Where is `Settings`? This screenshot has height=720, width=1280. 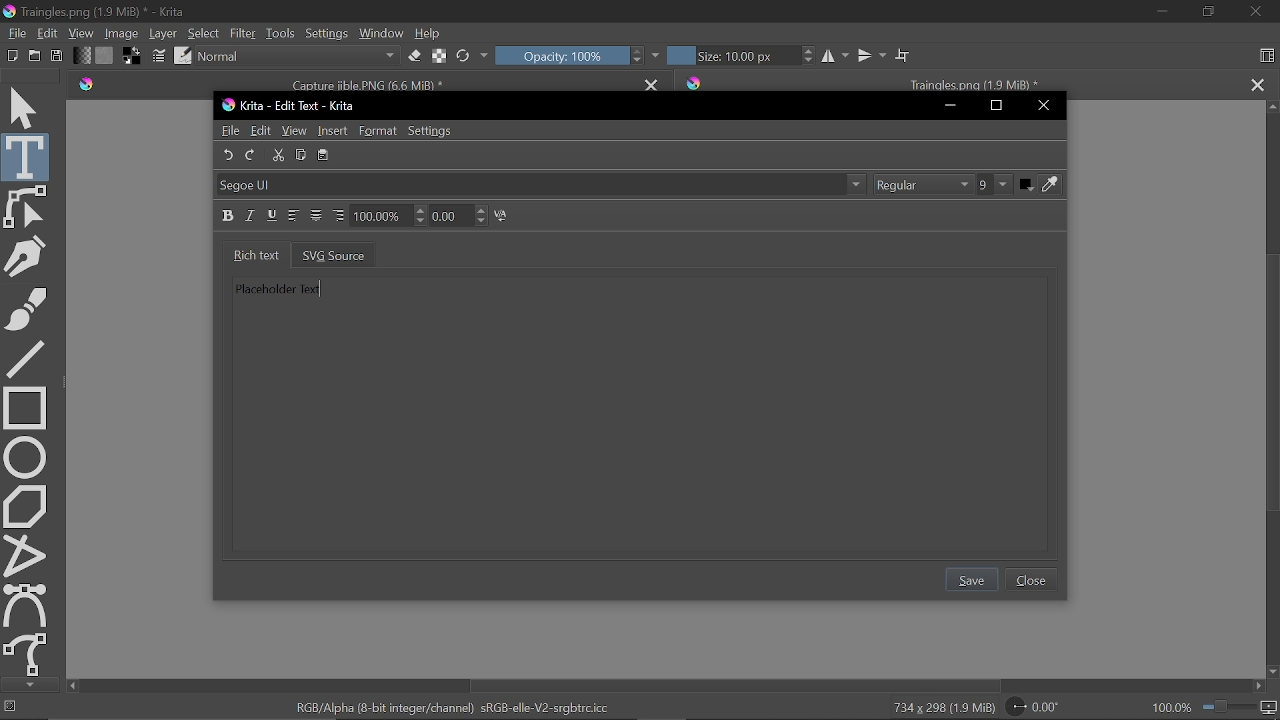
Settings is located at coordinates (326, 33).